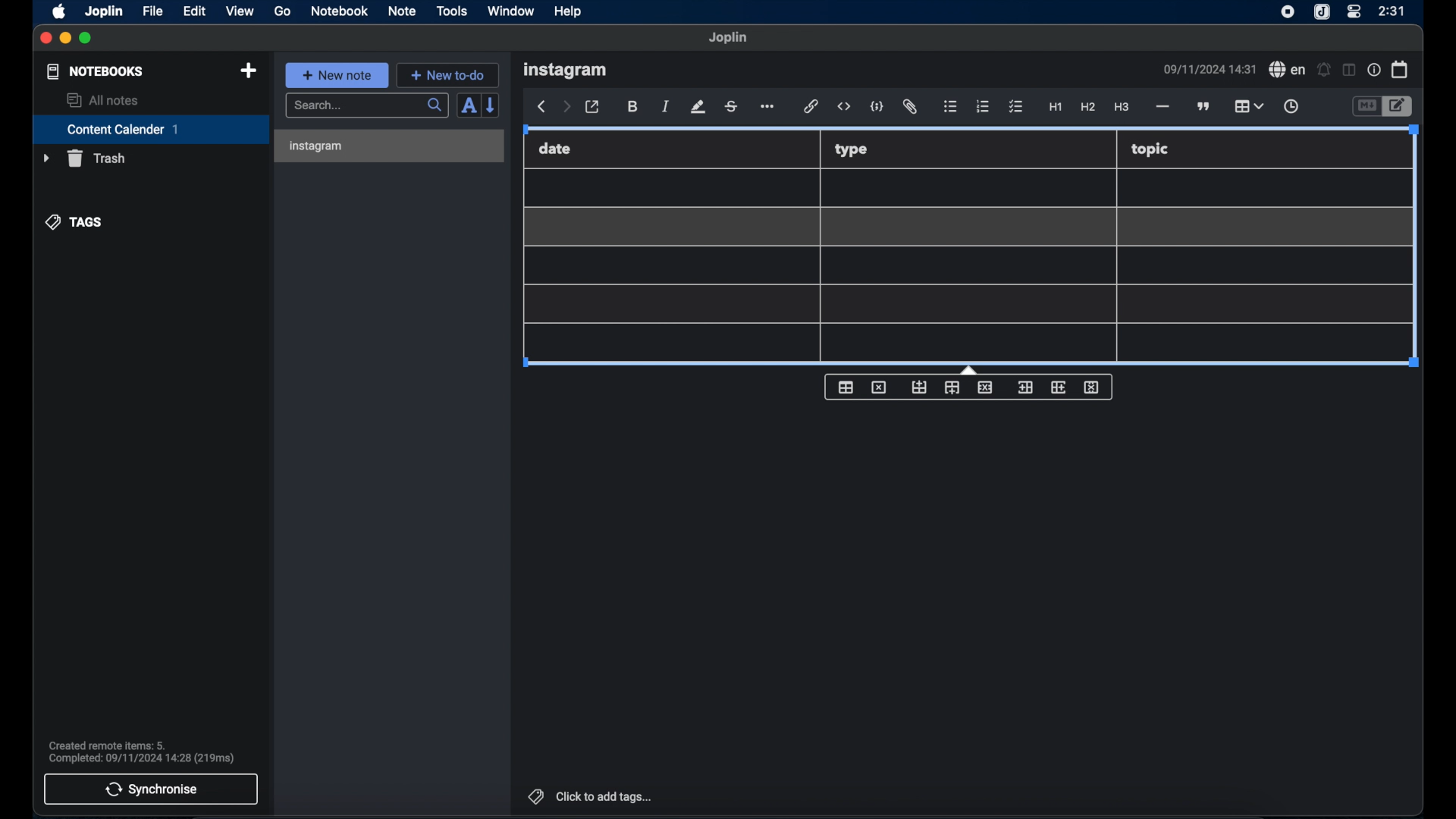 The image size is (1456, 819). Describe the element at coordinates (1365, 105) in the screenshot. I see `toggle editor` at that location.